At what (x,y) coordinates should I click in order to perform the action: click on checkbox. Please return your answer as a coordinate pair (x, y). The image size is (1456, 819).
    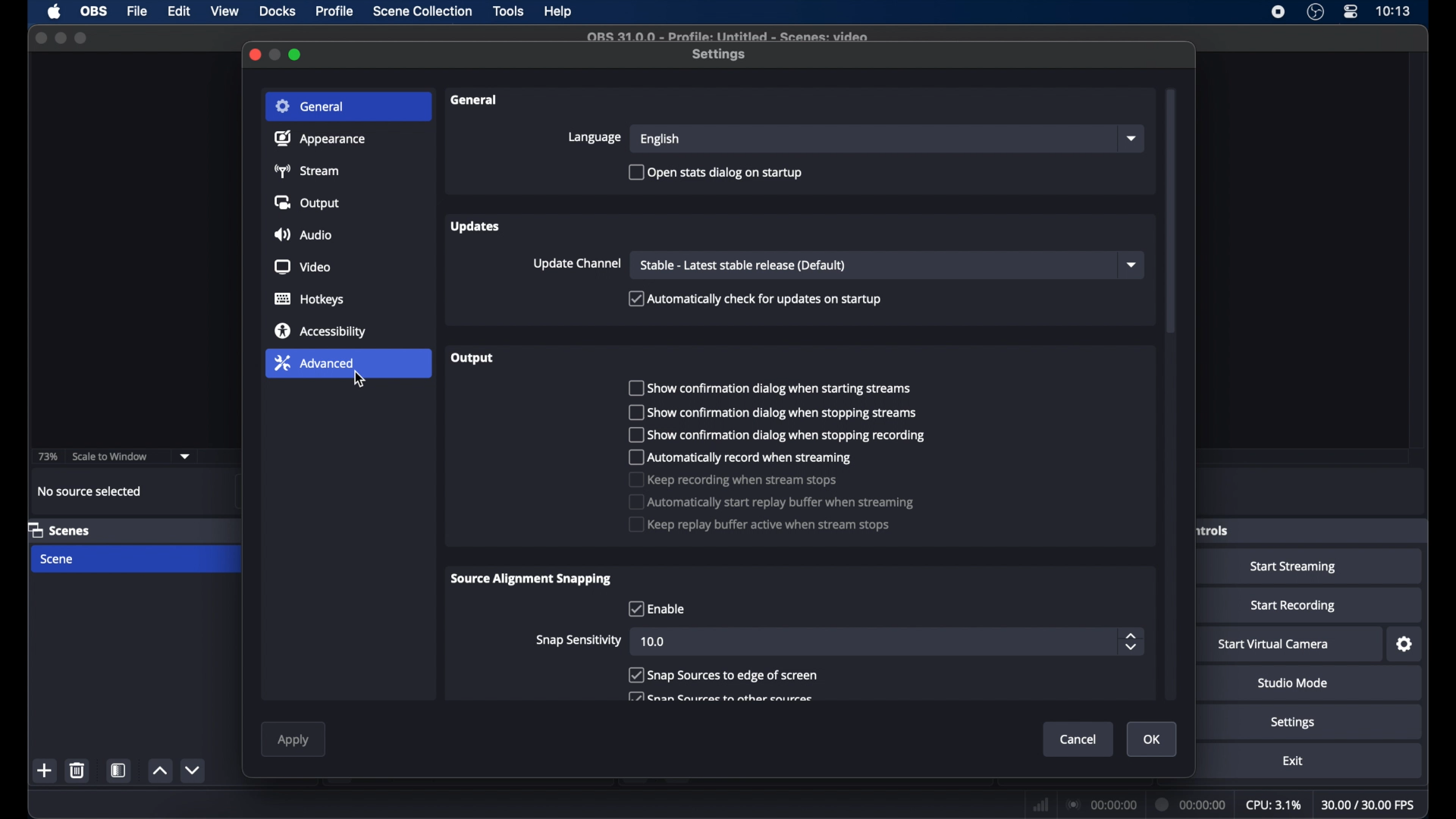
    Looking at the image, I should click on (740, 457).